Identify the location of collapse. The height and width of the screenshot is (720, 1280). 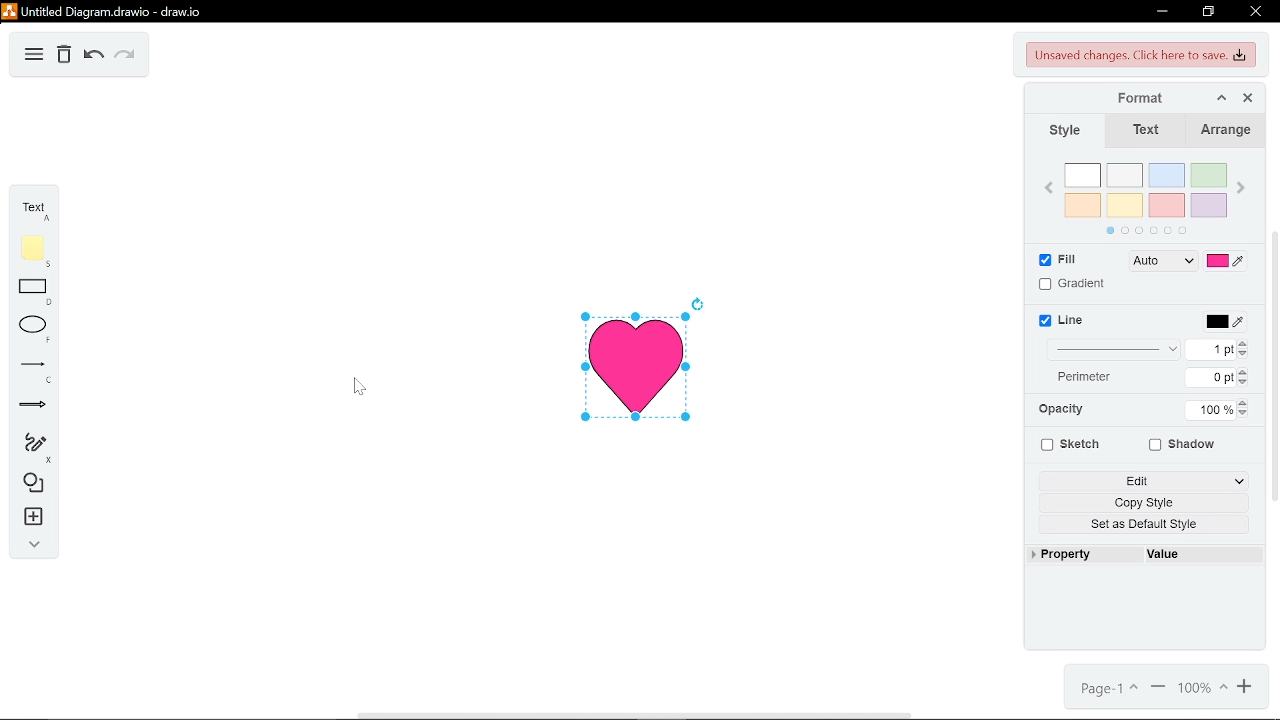
(33, 546).